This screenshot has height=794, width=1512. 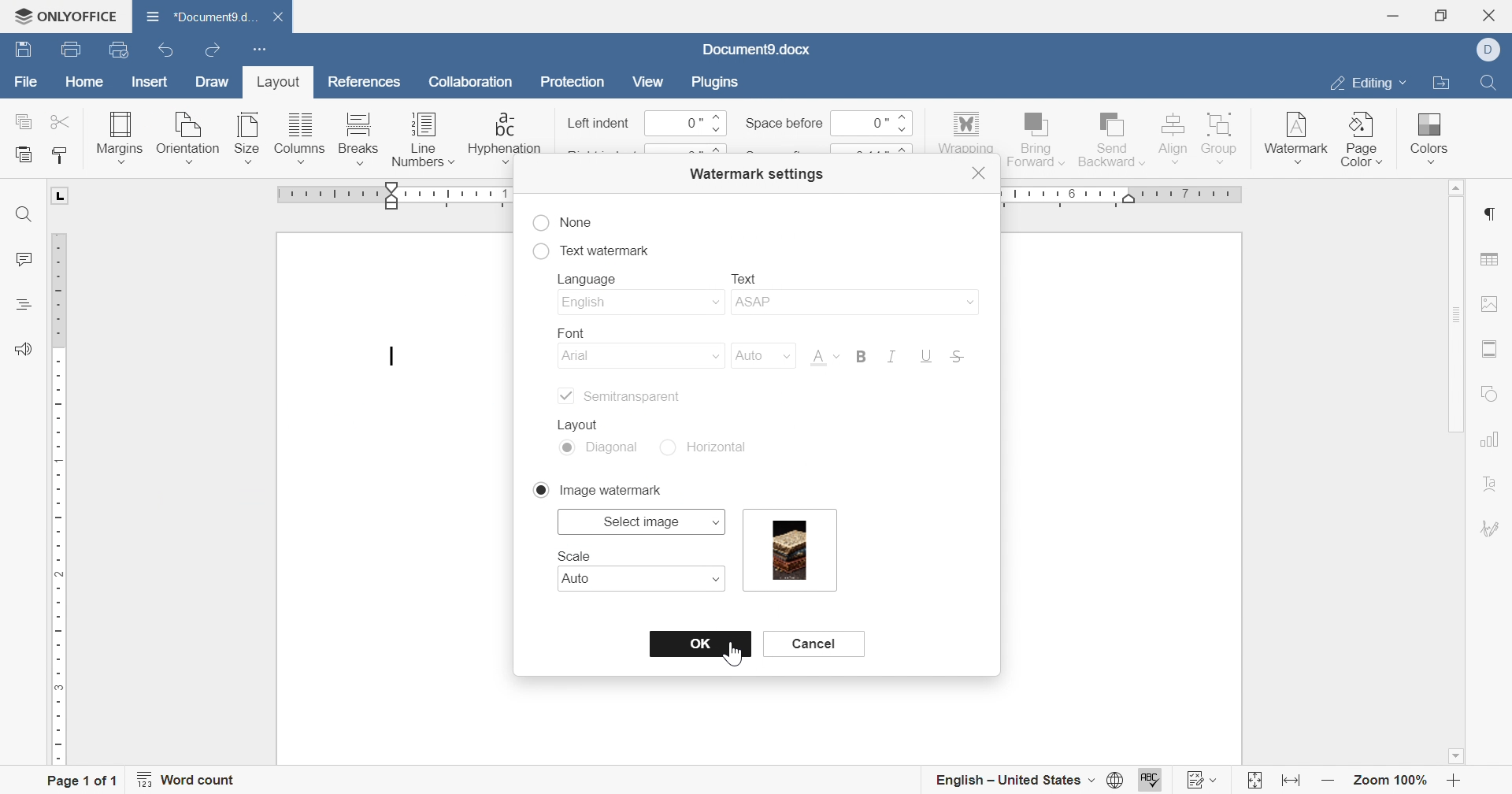 What do you see at coordinates (69, 52) in the screenshot?
I see `print` at bounding box center [69, 52].